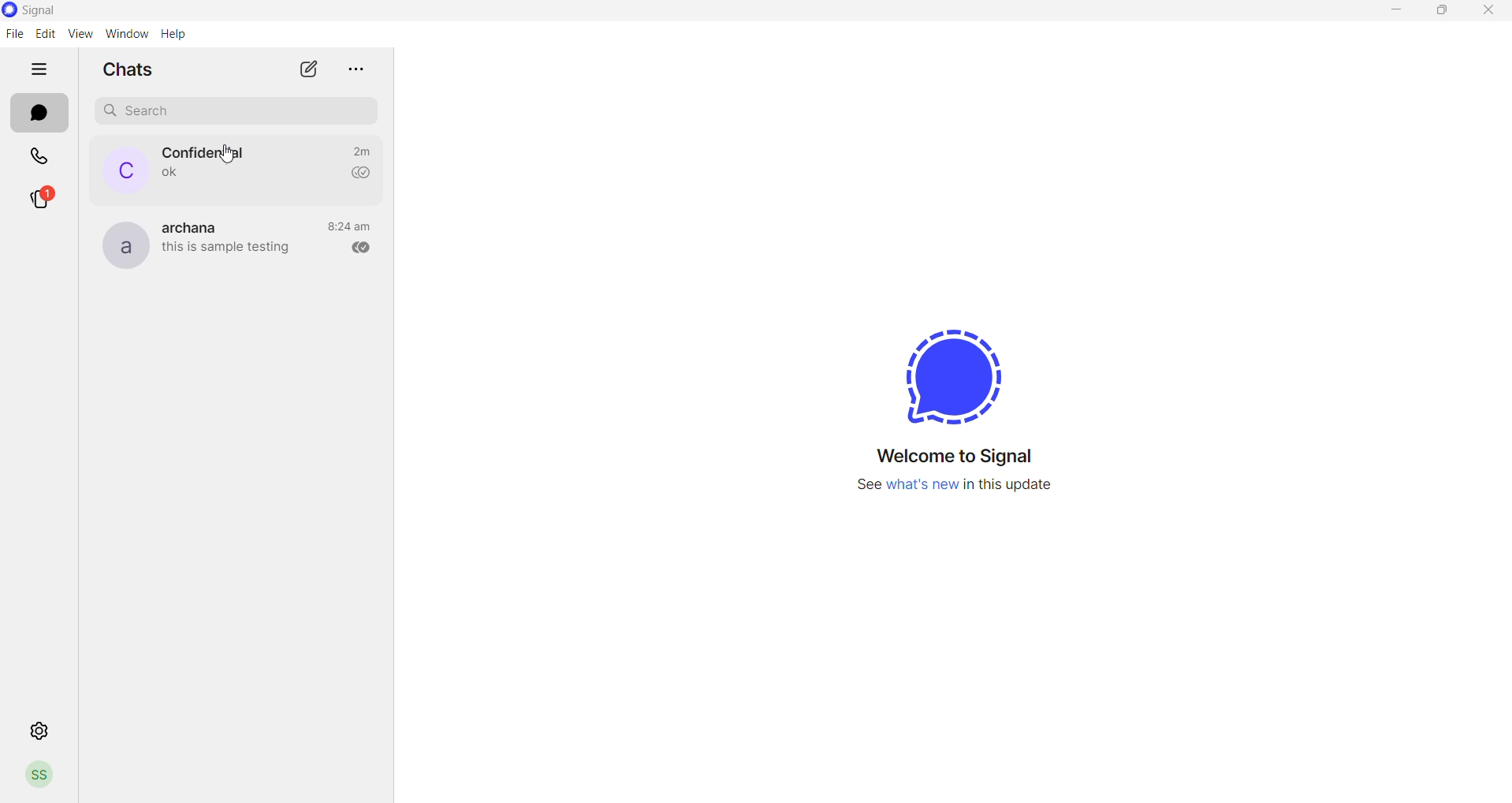 This screenshot has height=803, width=1512. Describe the element at coordinates (130, 70) in the screenshot. I see `chats heading` at that location.